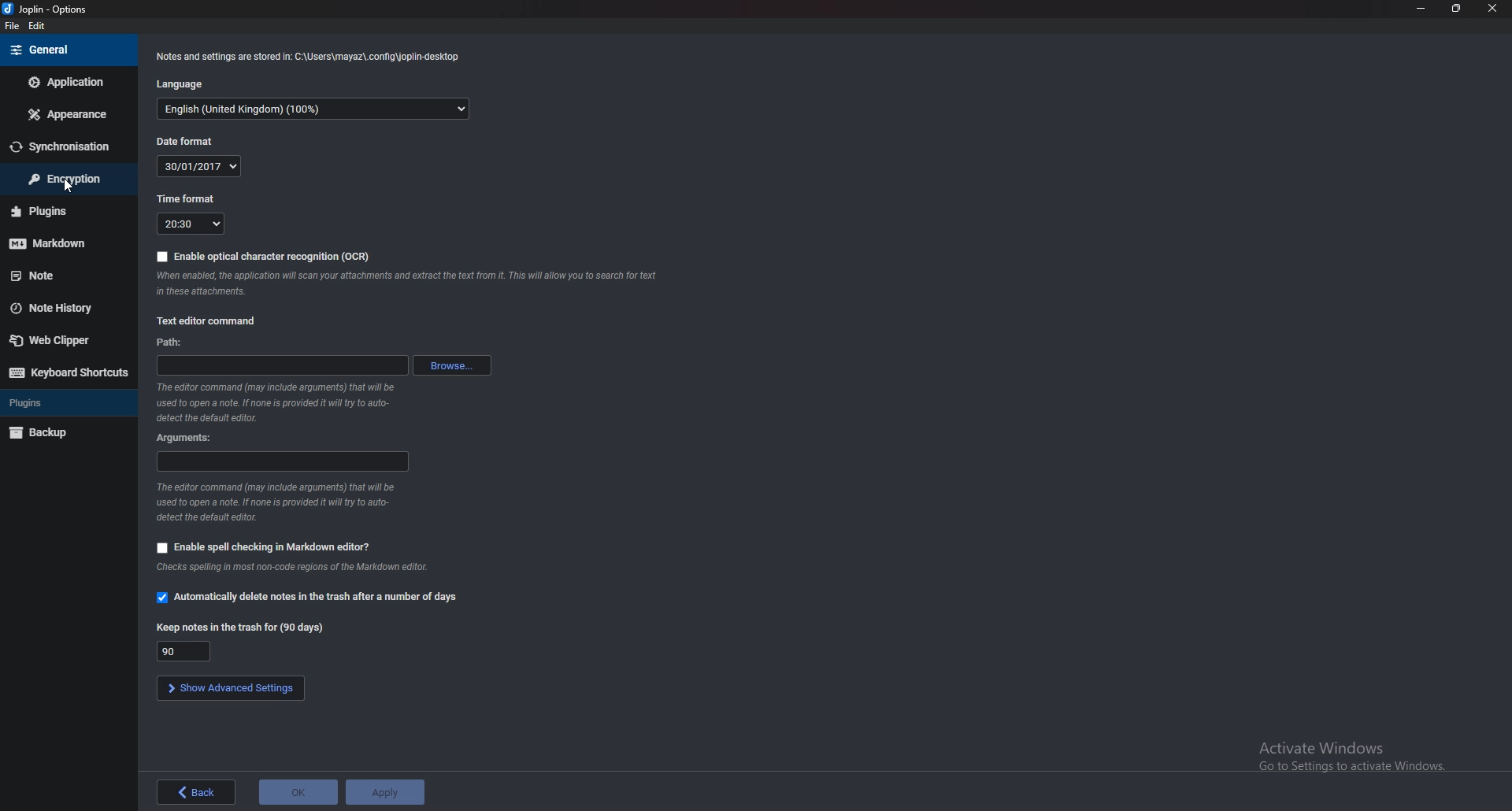 The height and width of the screenshot is (811, 1512). What do you see at coordinates (68, 339) in the screenshot?
I see `web clipper` at bounding box center [68, 339].